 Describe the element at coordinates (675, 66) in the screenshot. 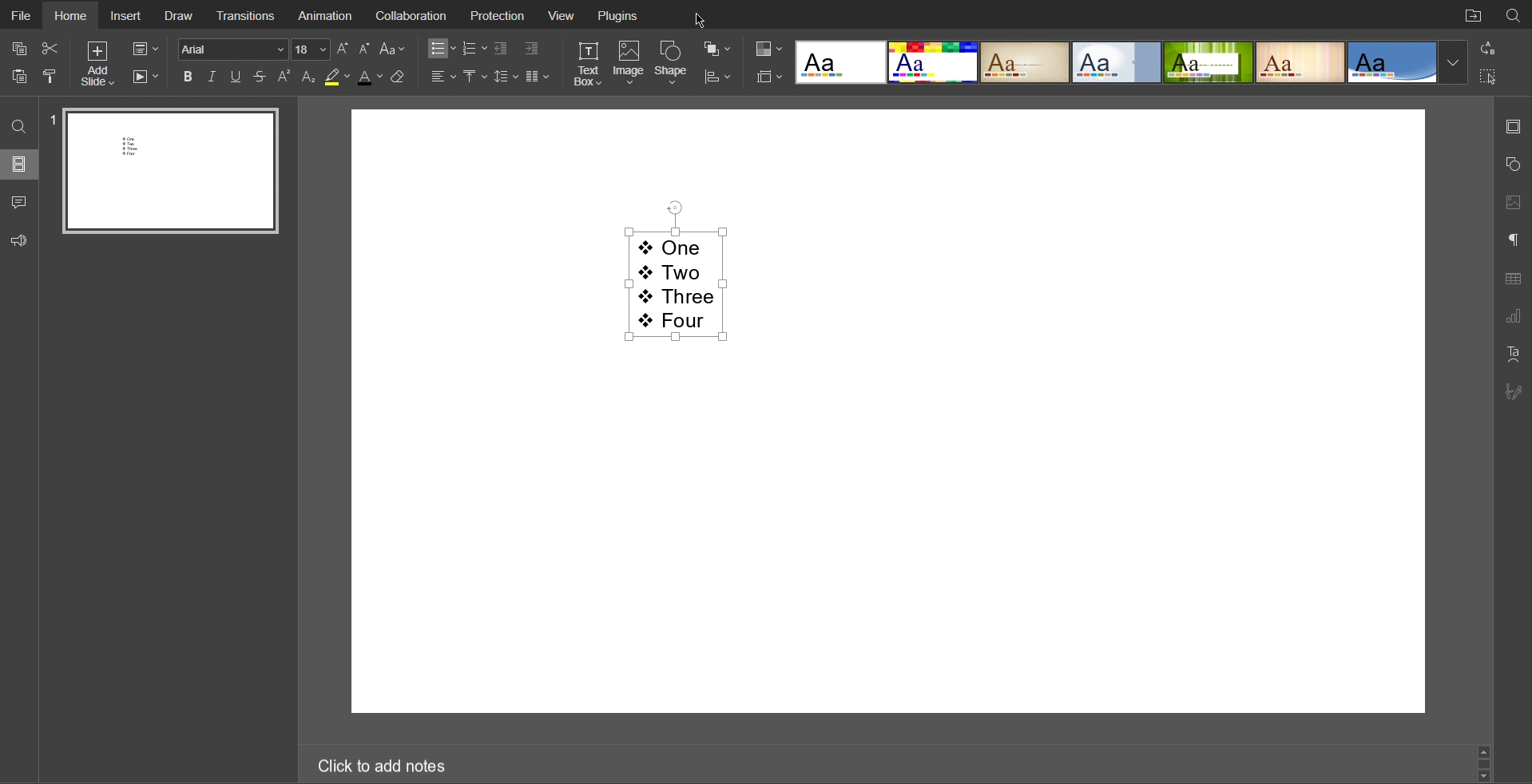

I see `Shape` at that location.